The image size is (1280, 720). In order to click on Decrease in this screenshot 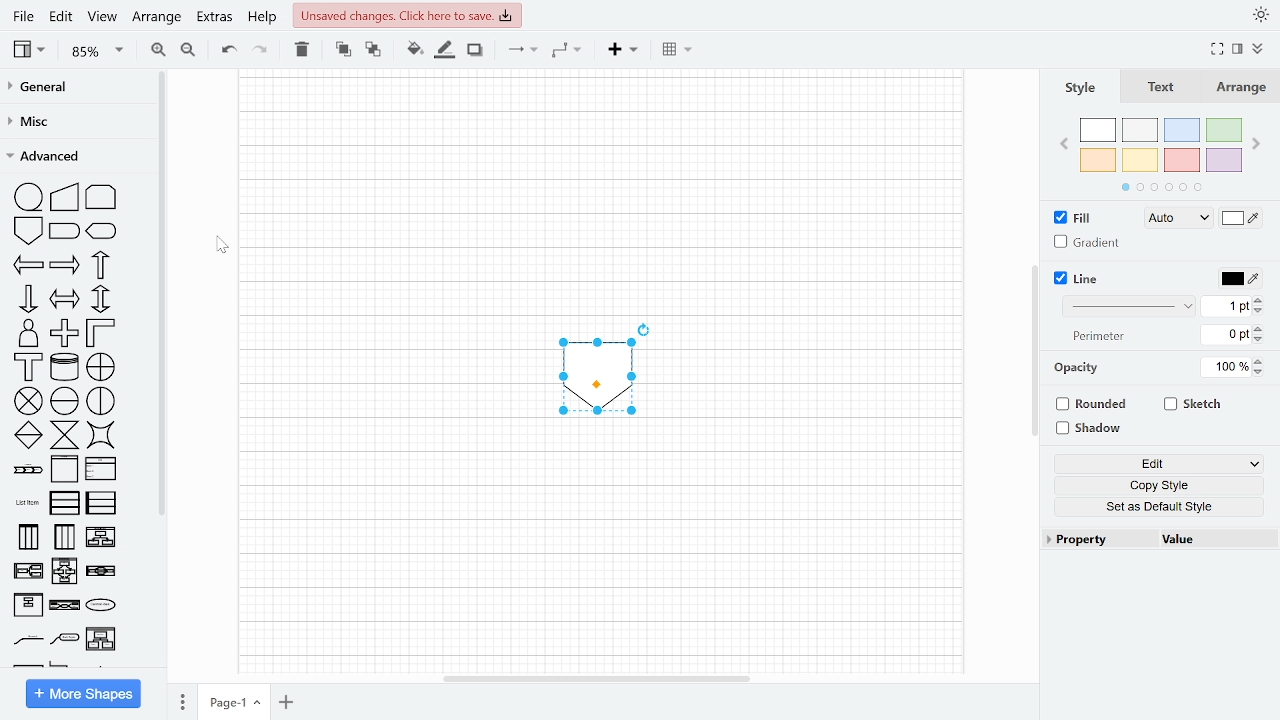, I will do `click(1262, 372)`.